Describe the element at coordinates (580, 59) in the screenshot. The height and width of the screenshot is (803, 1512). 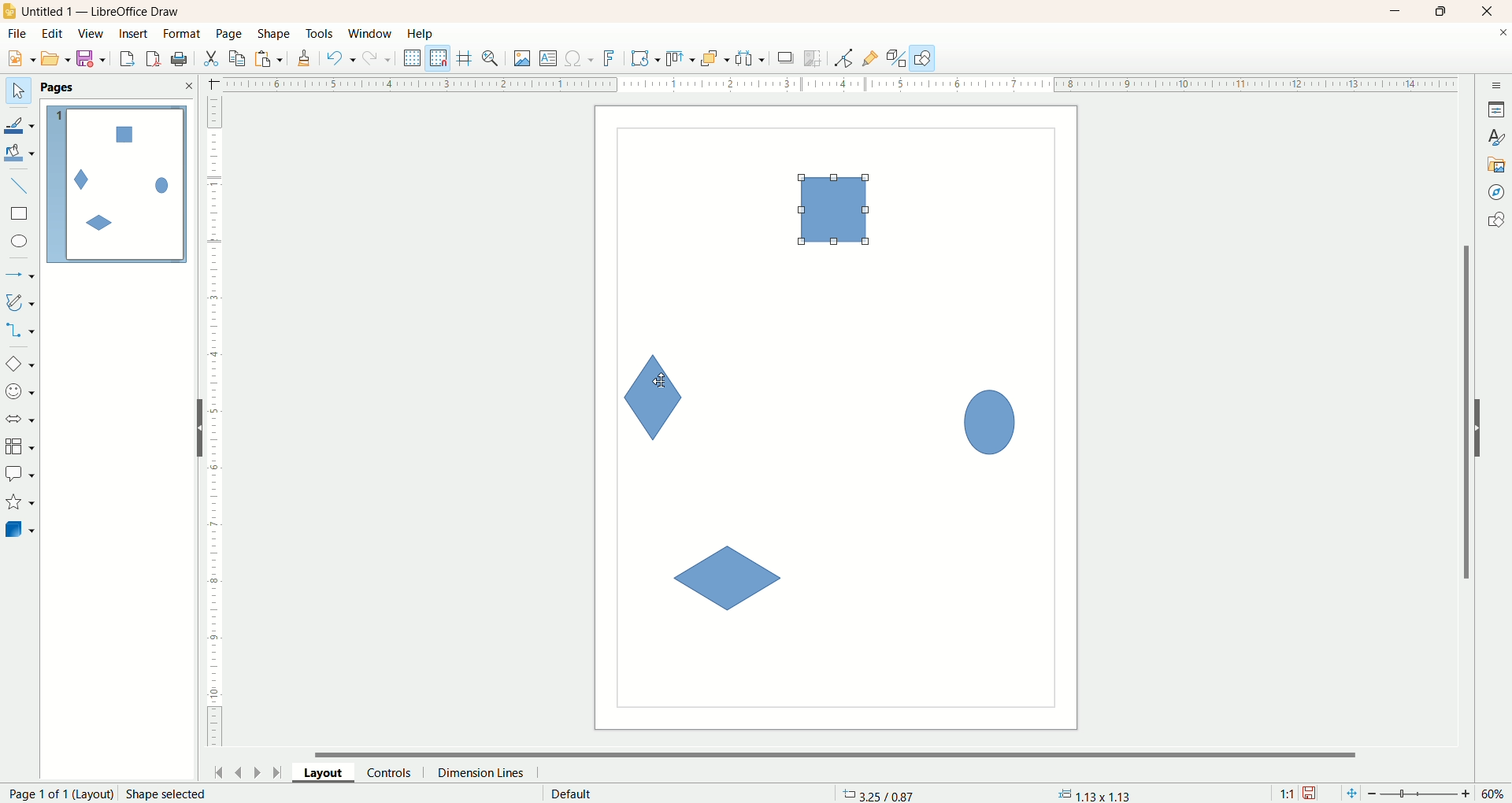
I see `special character` at that location.